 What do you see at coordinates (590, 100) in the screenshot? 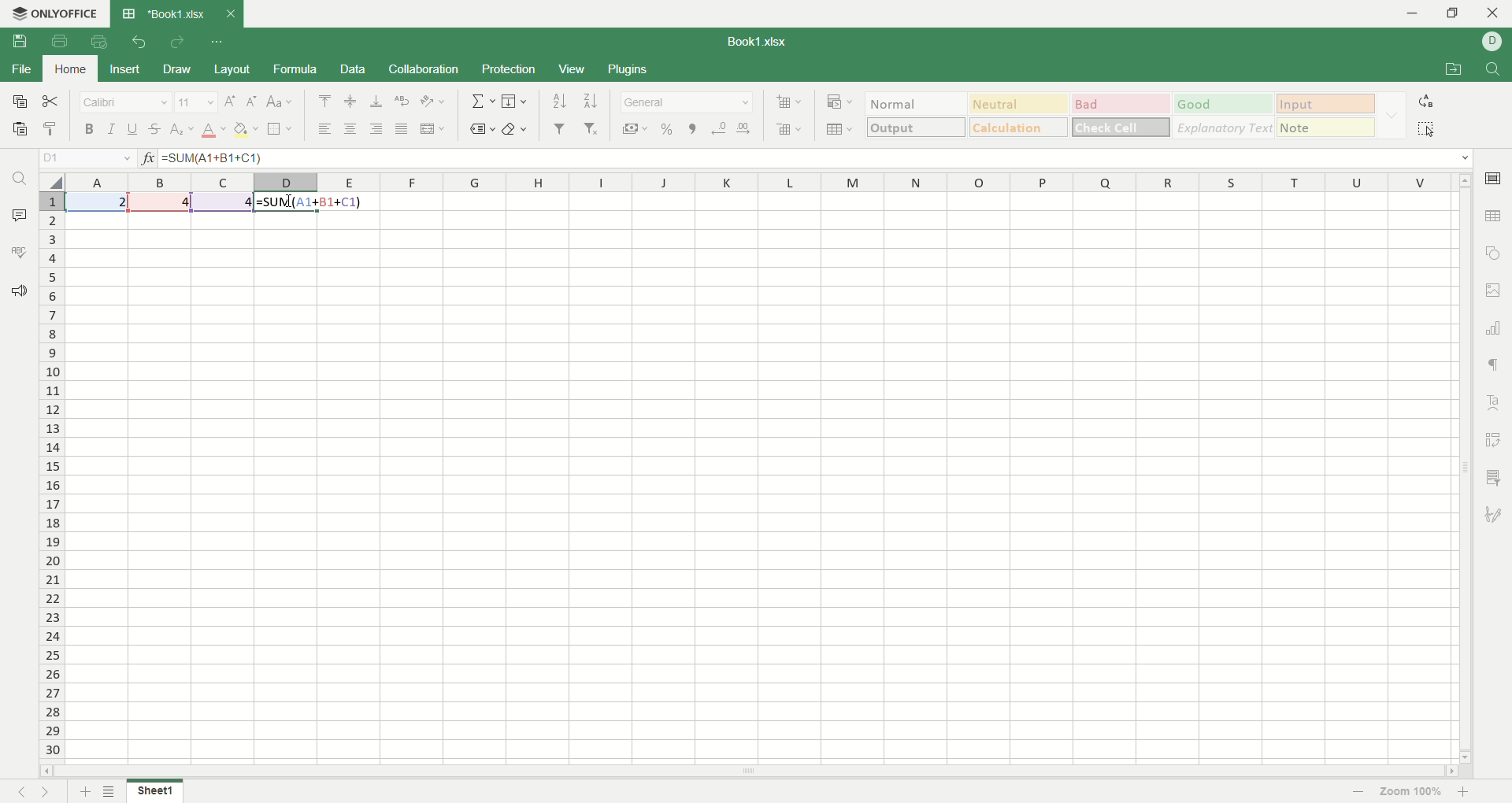
I see `sort descending` at bounding box center [590, 100].